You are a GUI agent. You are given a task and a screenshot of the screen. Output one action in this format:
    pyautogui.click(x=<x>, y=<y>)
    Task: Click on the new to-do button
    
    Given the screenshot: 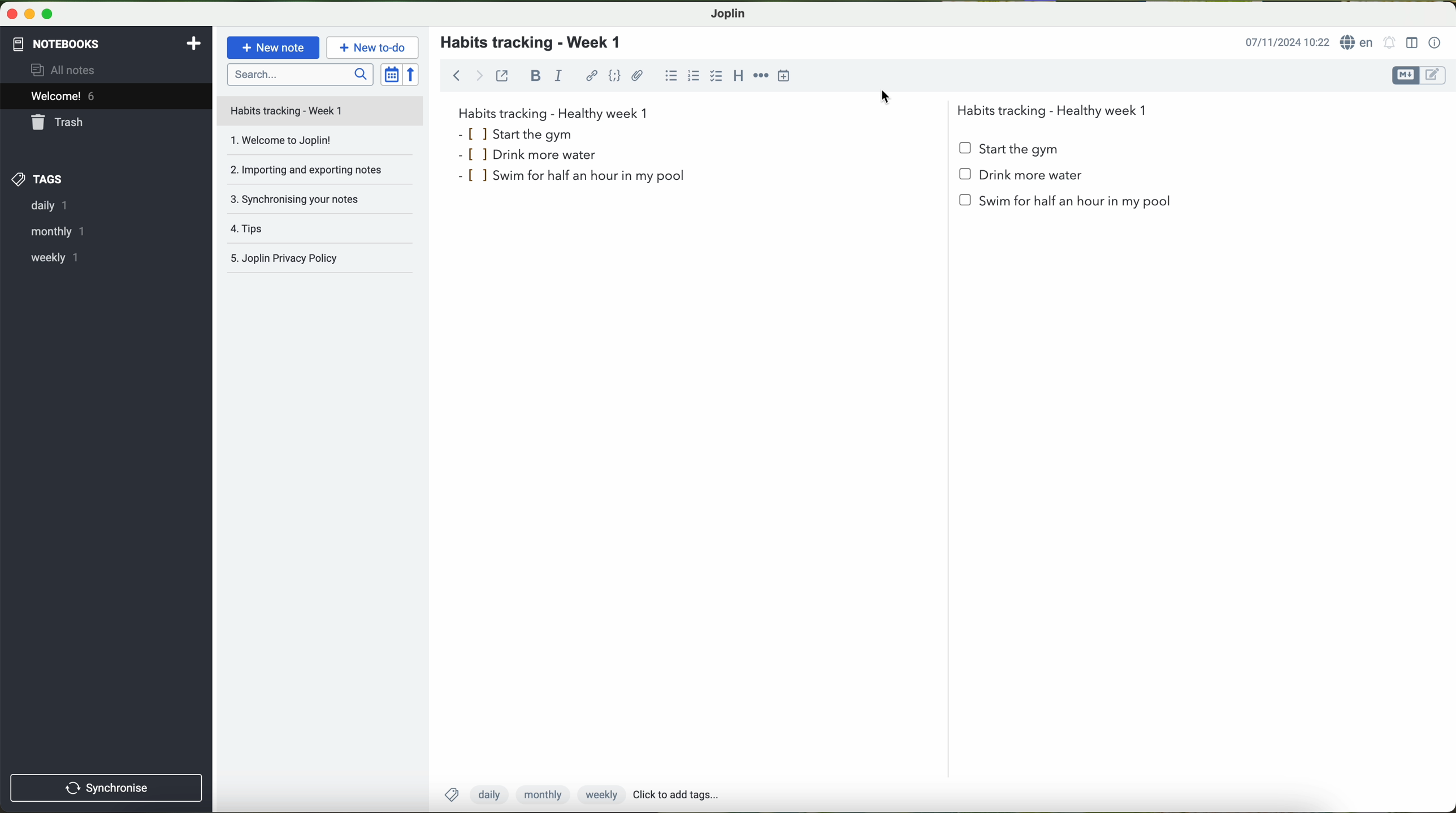 What is the action you would take?
    pyautogui.click(x=372, y=47)
    